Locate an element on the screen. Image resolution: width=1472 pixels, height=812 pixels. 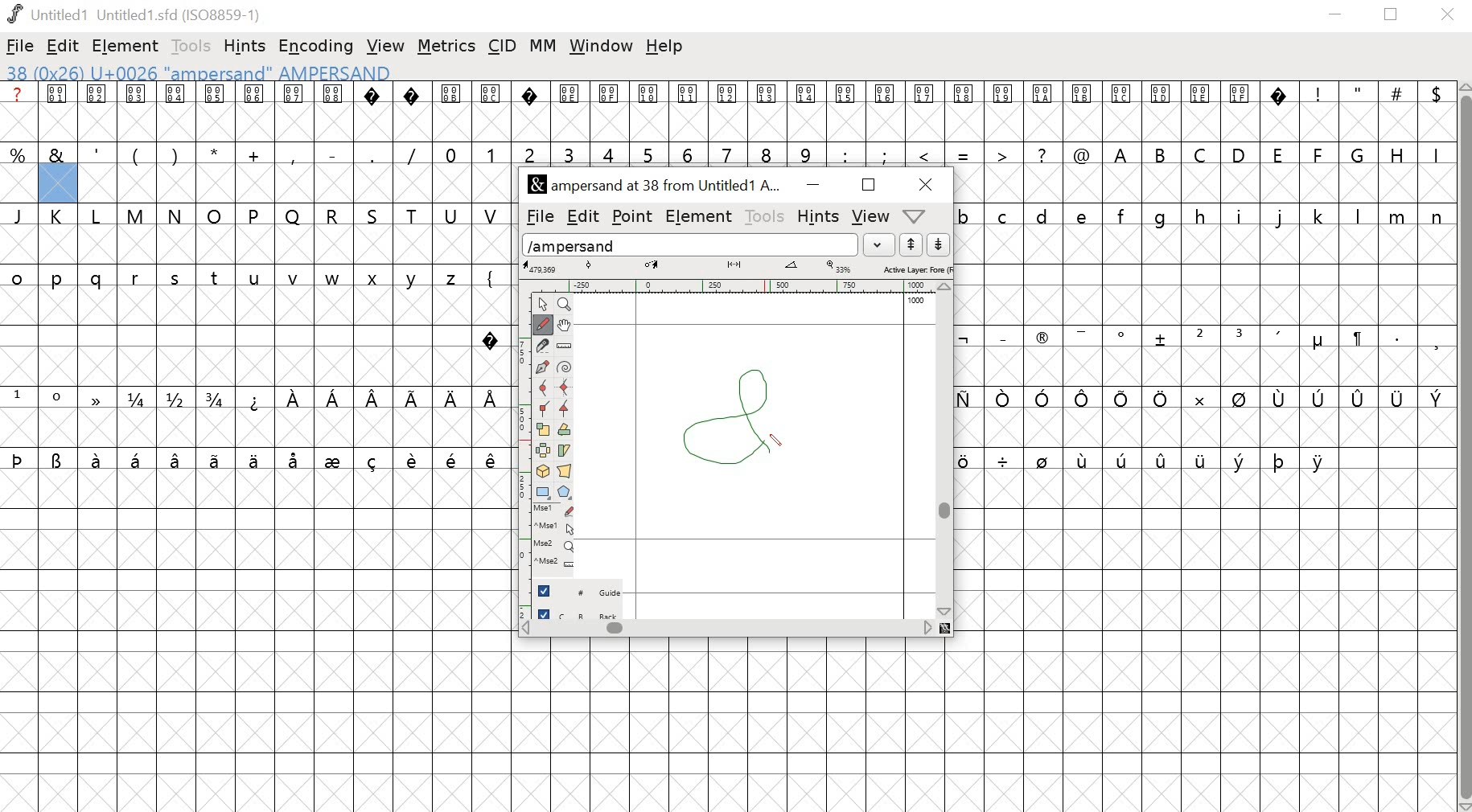
symbol is located at coordinates (58, 459).